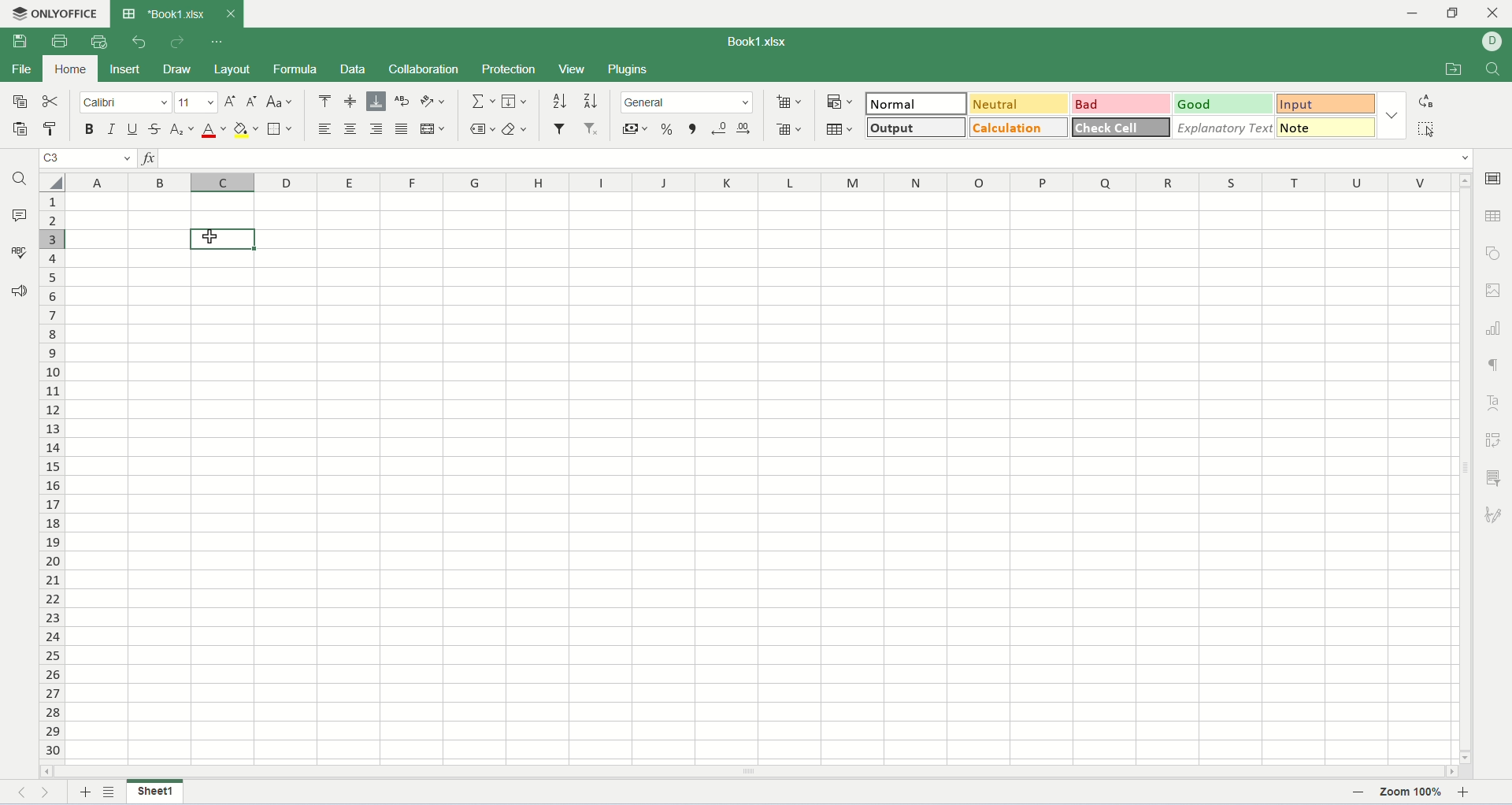 The width and height of the screenshot is (1512, 805). What do you see at coordinates (1497, 218) in the screenshot?
I see `table settings` at bounding box center [1497, 218].